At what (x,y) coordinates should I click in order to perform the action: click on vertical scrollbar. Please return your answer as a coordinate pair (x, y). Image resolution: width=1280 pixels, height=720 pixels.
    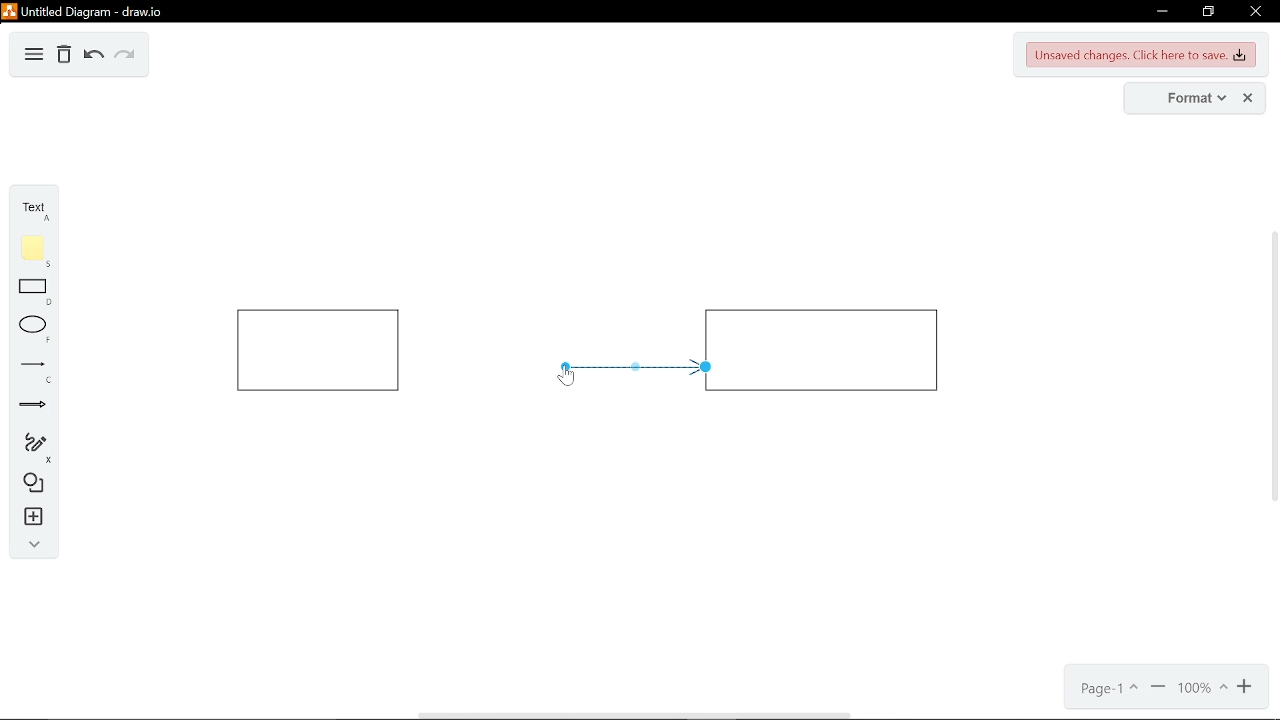
    Looking at the image, I should click on (1272, 367).